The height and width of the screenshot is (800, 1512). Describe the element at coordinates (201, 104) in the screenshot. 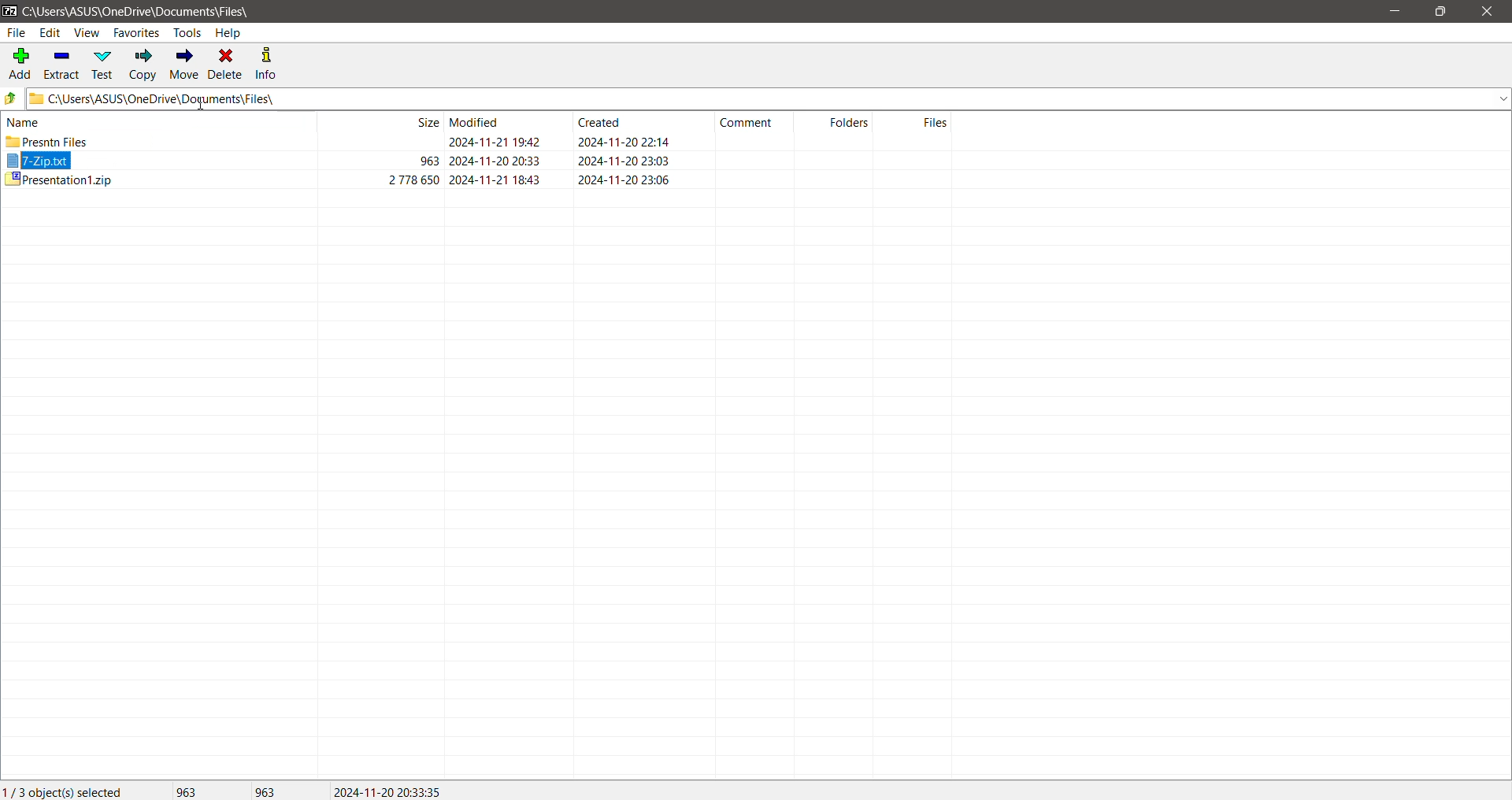

I see `cursor` at that location.